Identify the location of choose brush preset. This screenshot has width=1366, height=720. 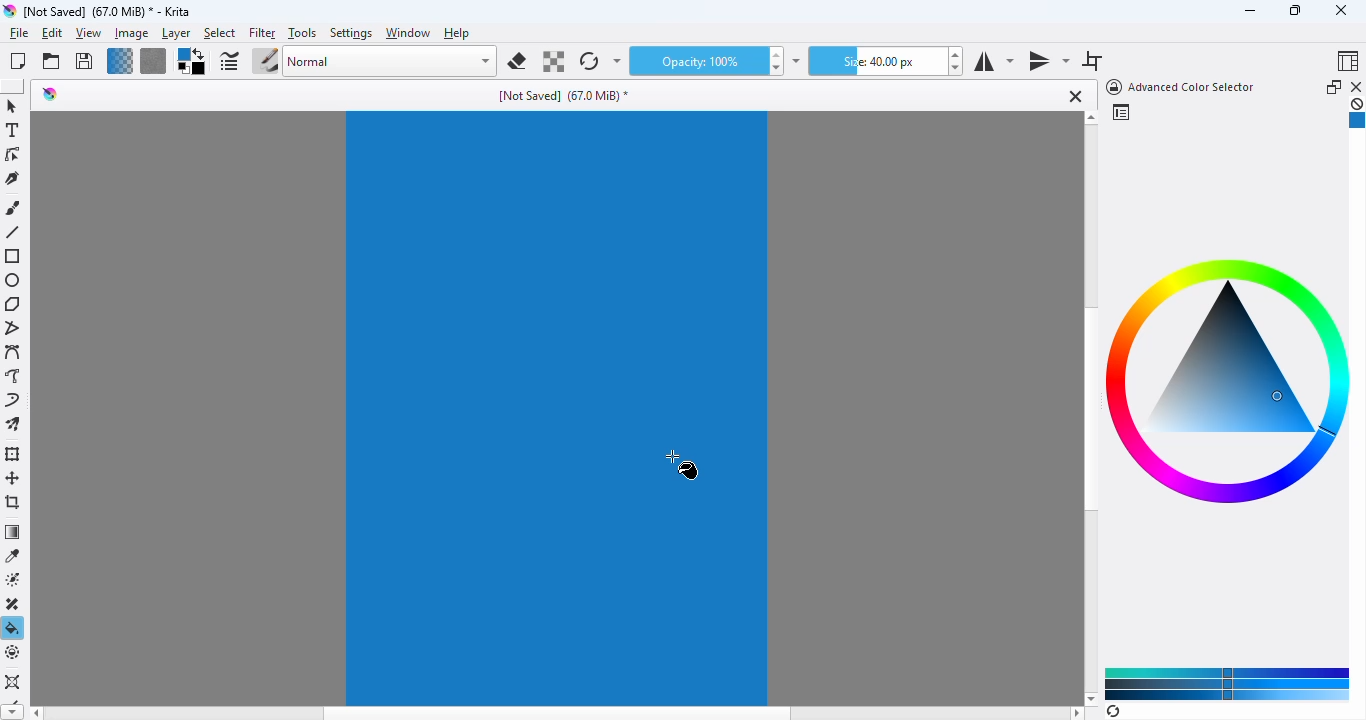
(265, 60).